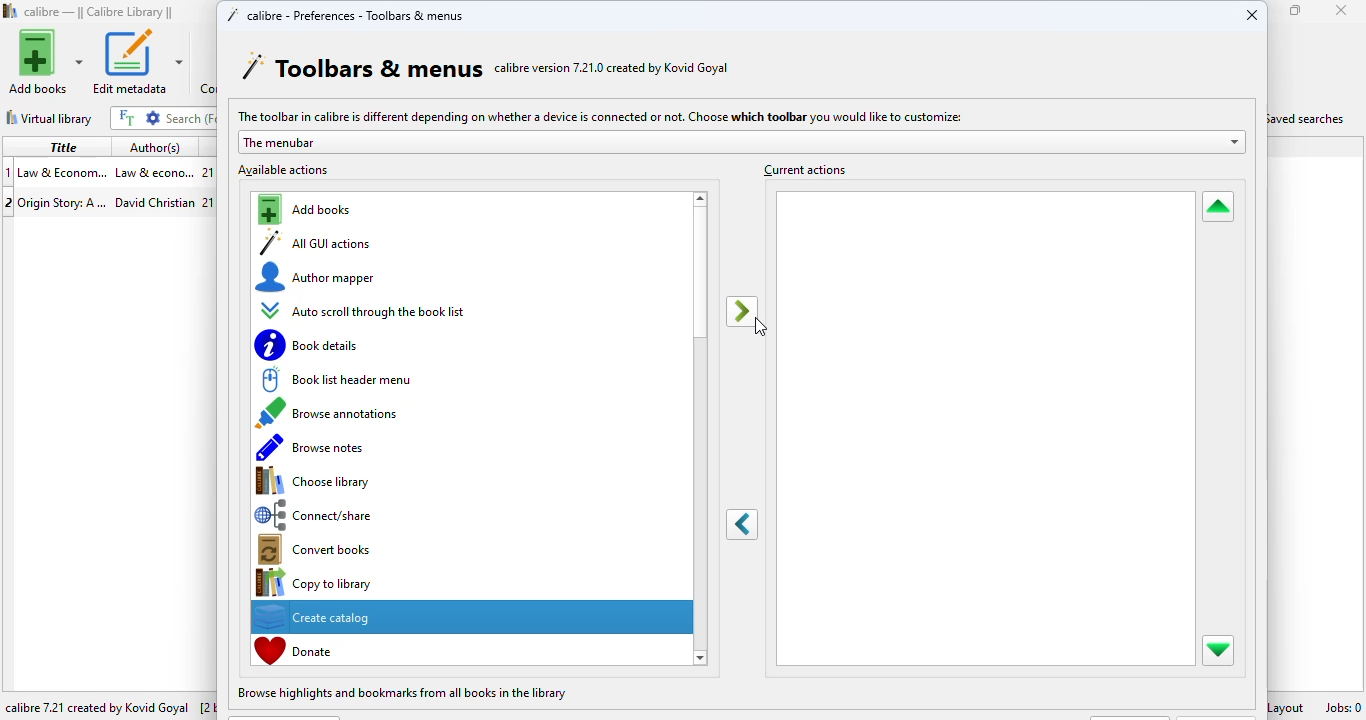 Image resolution: width=1366 pixels, height=720 pixels. I want to click on virtual library, so click(49, 118).